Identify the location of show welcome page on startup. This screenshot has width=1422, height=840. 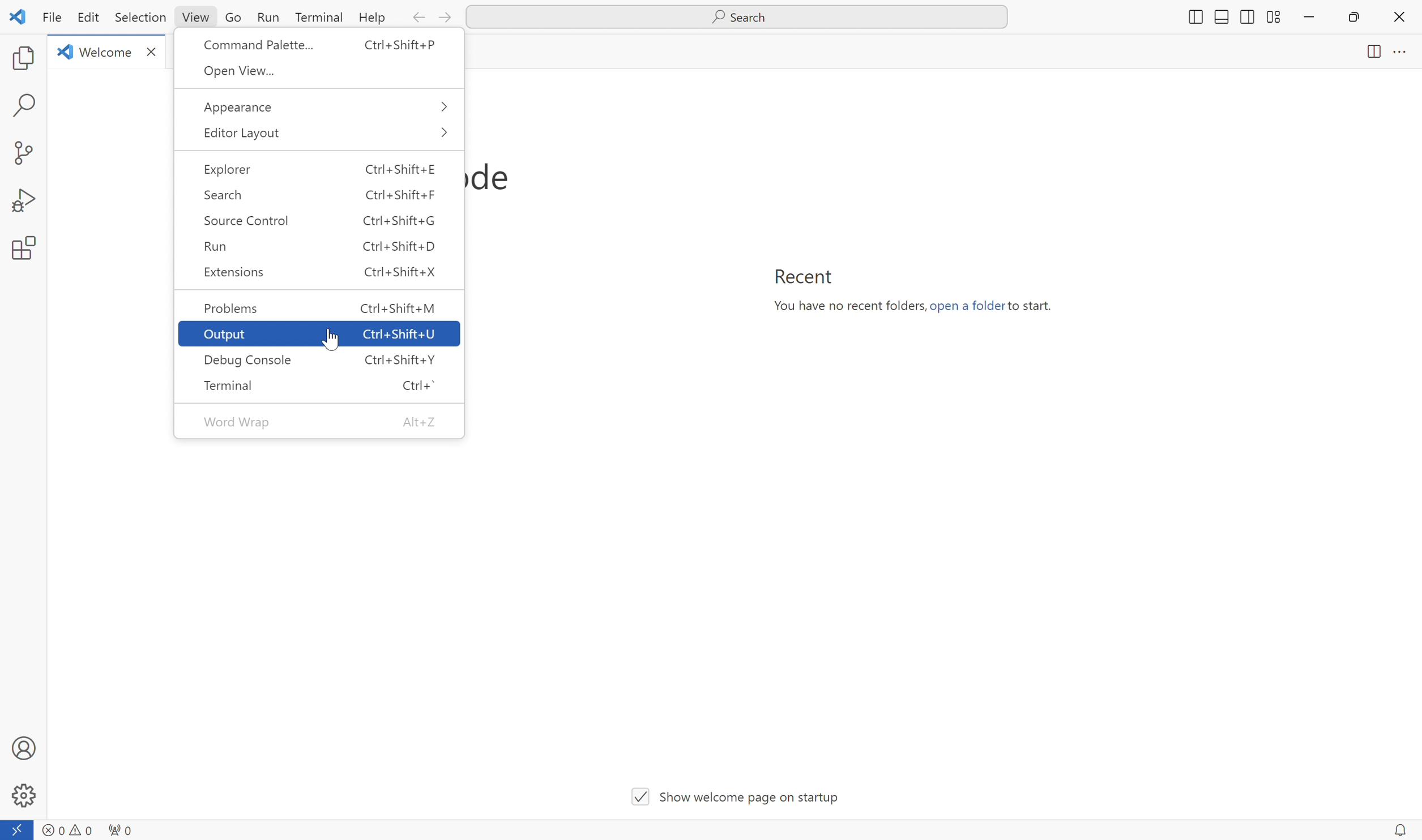
(731, 800).